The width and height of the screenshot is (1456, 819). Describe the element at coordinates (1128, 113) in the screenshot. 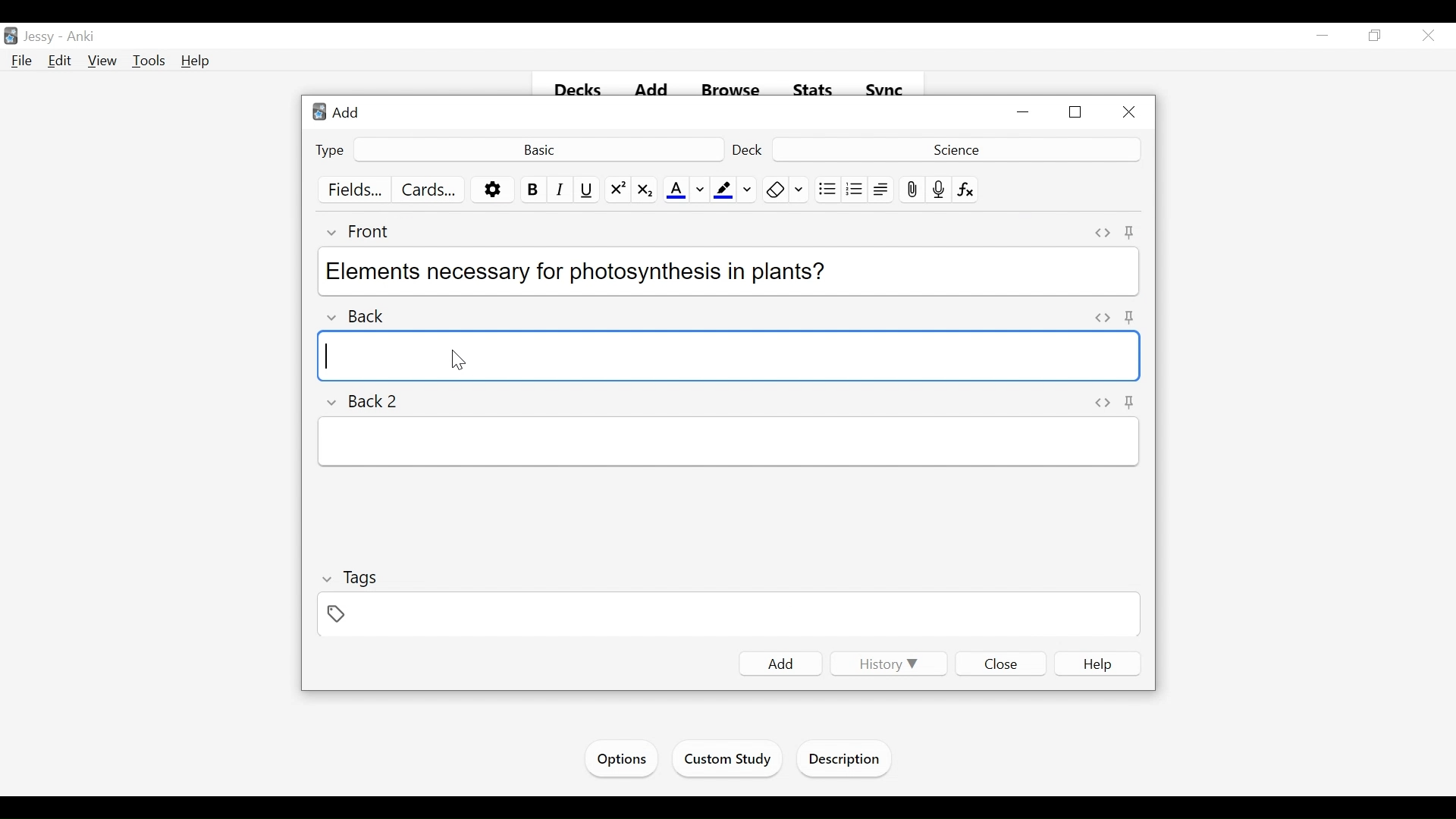

I see `Close` at that location.